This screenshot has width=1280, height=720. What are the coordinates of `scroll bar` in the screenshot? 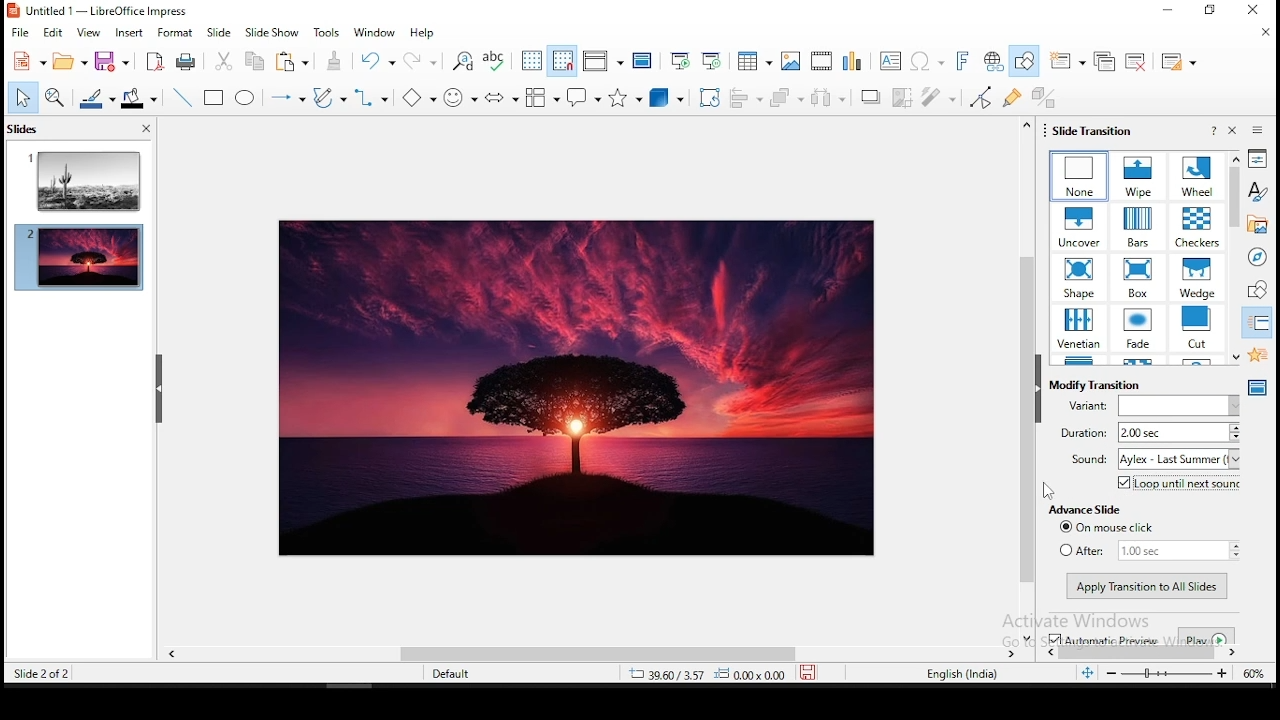 It's located at (1137, 652).